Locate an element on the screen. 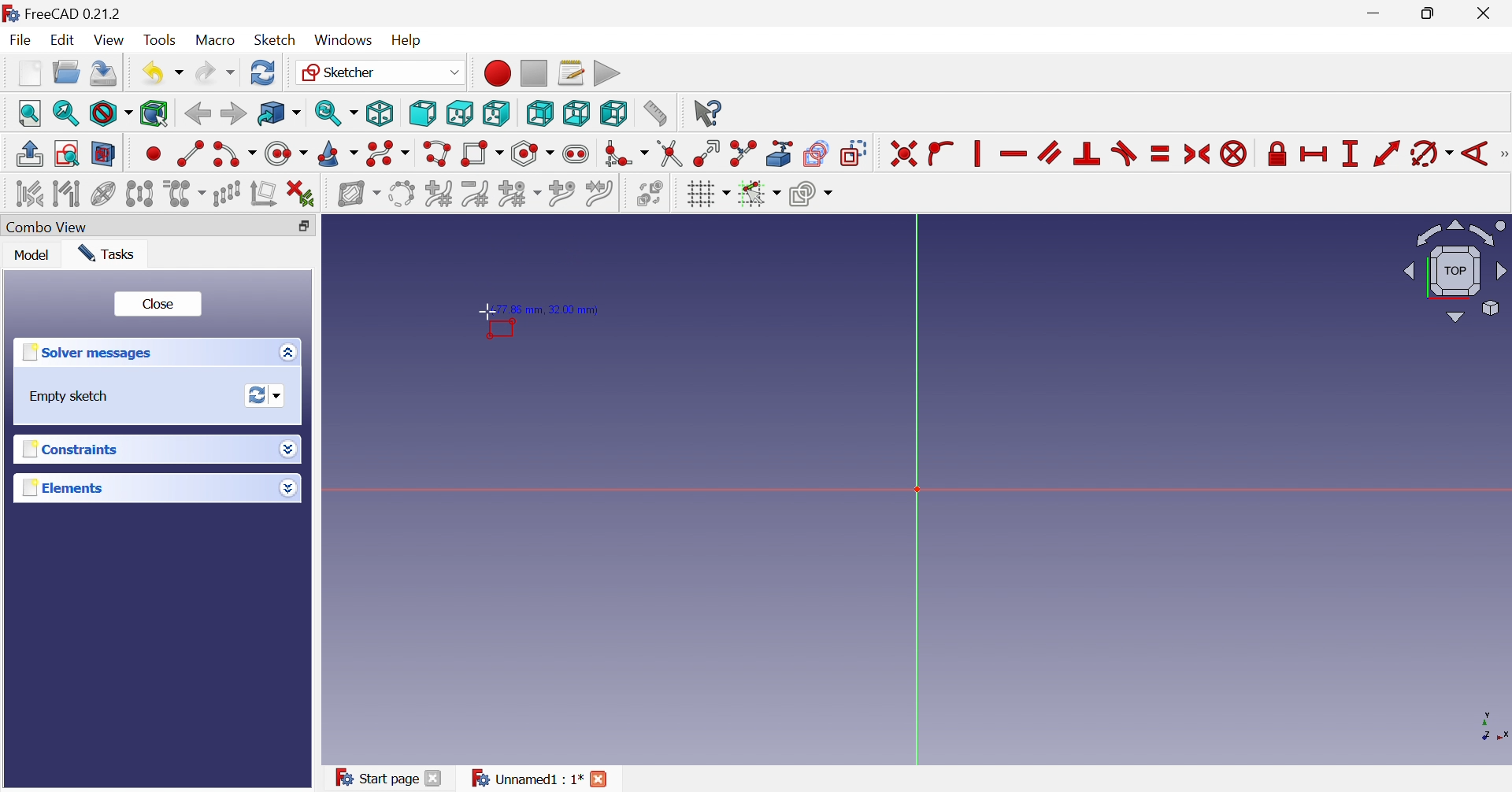 This screenshot has height=792, width=1512. Right is located at coordinates (495, 113).